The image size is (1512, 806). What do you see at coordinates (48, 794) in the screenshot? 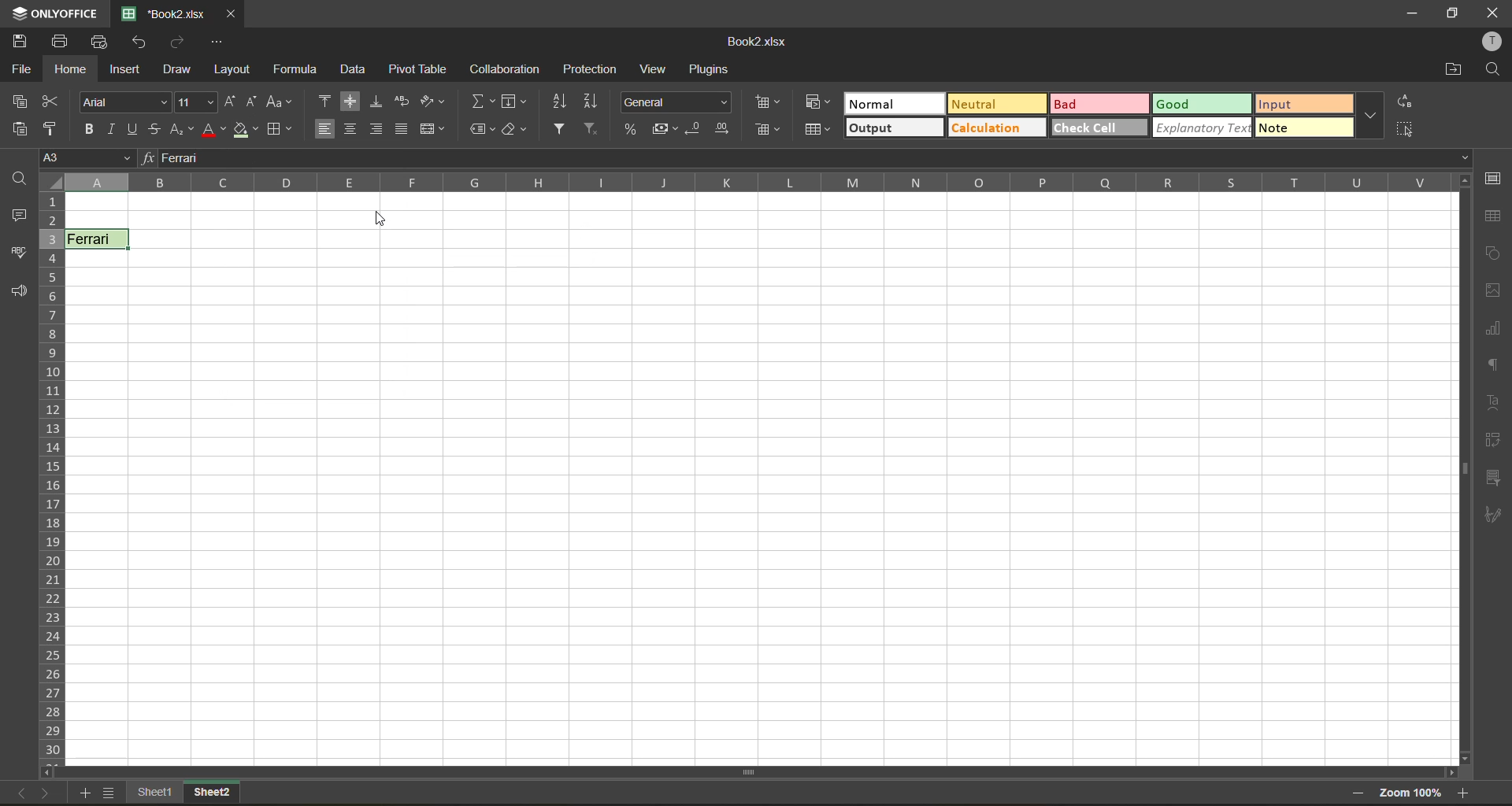
I see `next` at bounding box center [48, 794].